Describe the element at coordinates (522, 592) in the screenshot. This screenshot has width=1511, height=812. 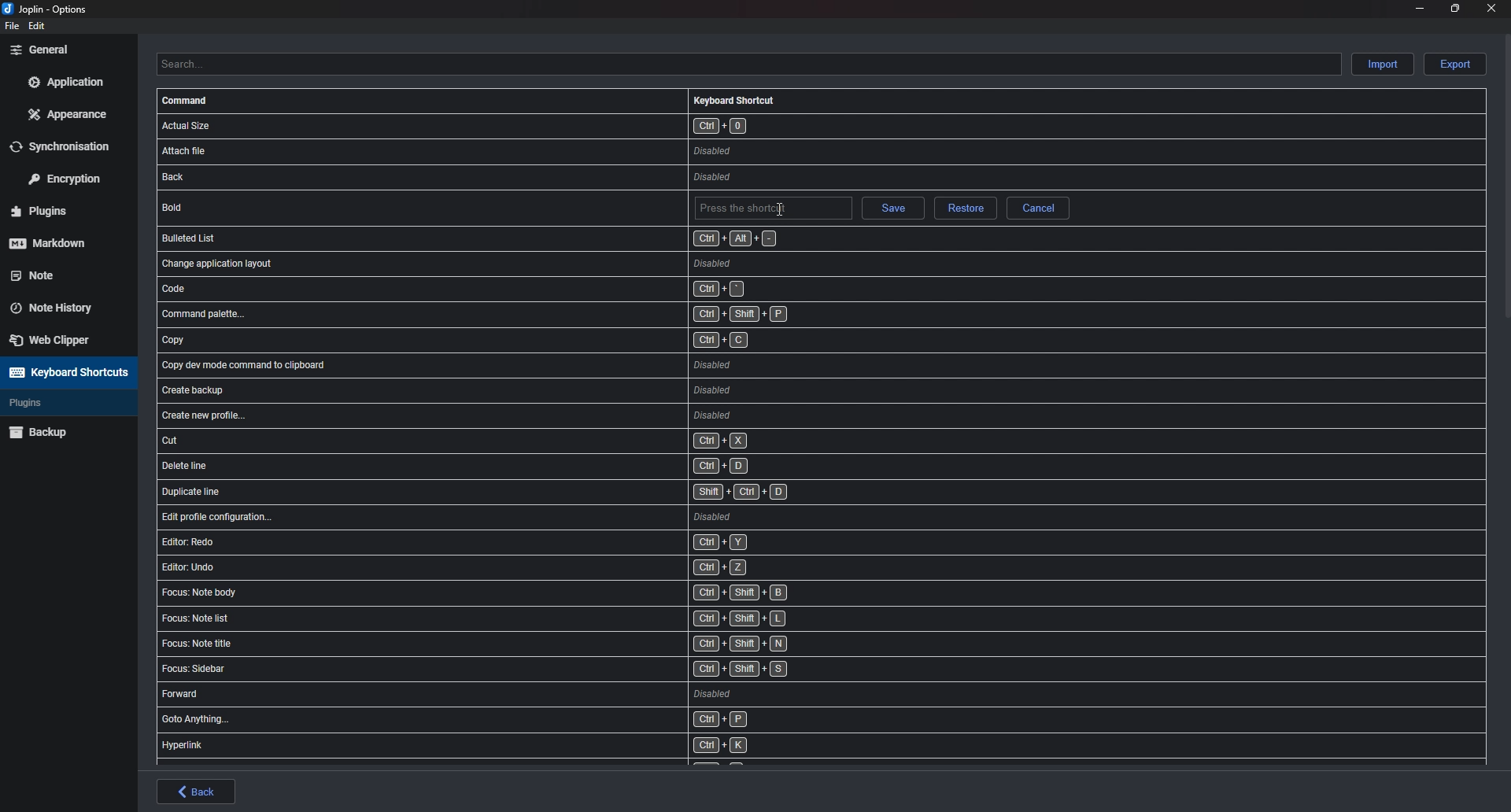
I see `shortcut` at that location.